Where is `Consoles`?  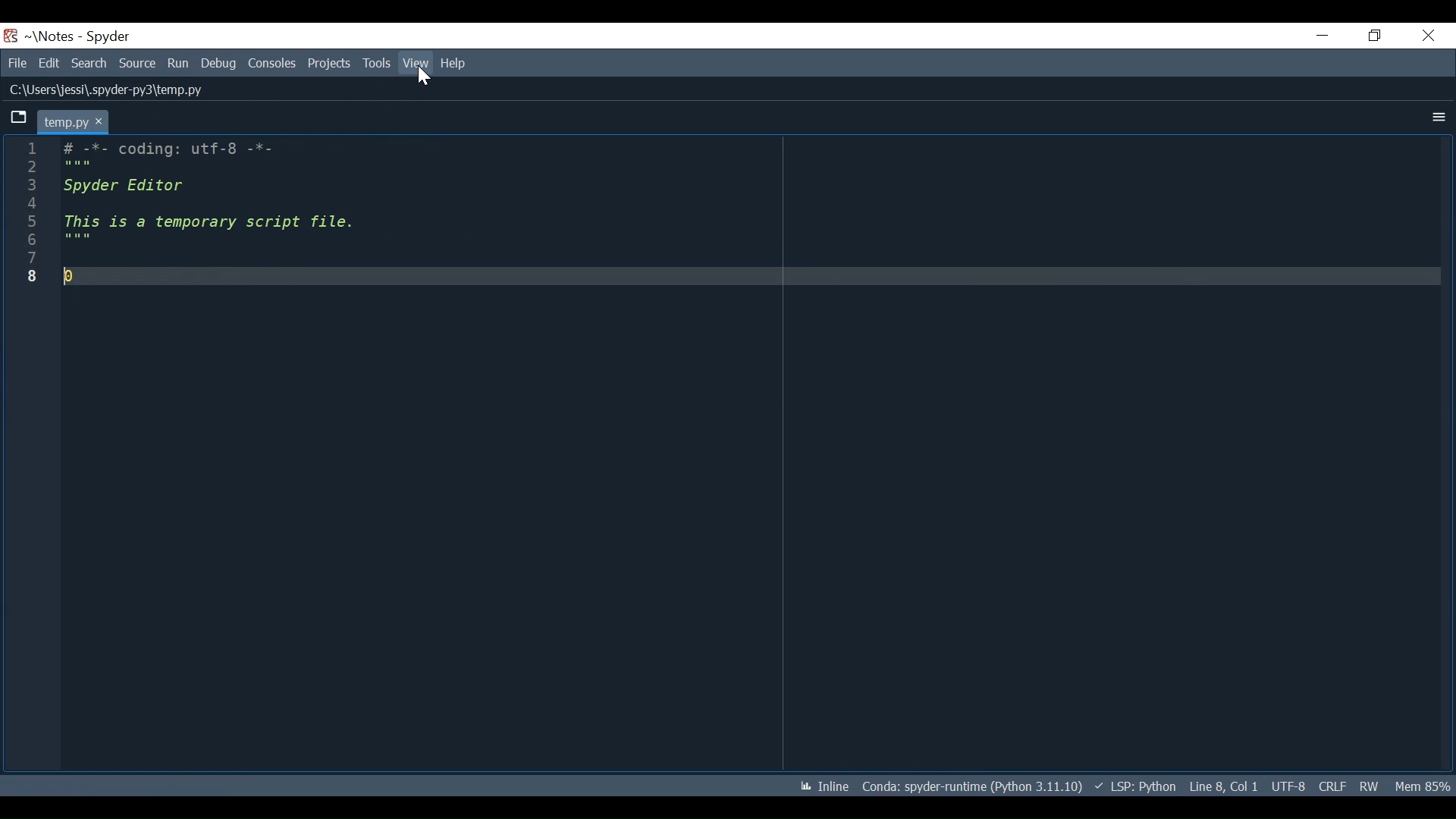 Consoles is located at coordinates (272, 64).